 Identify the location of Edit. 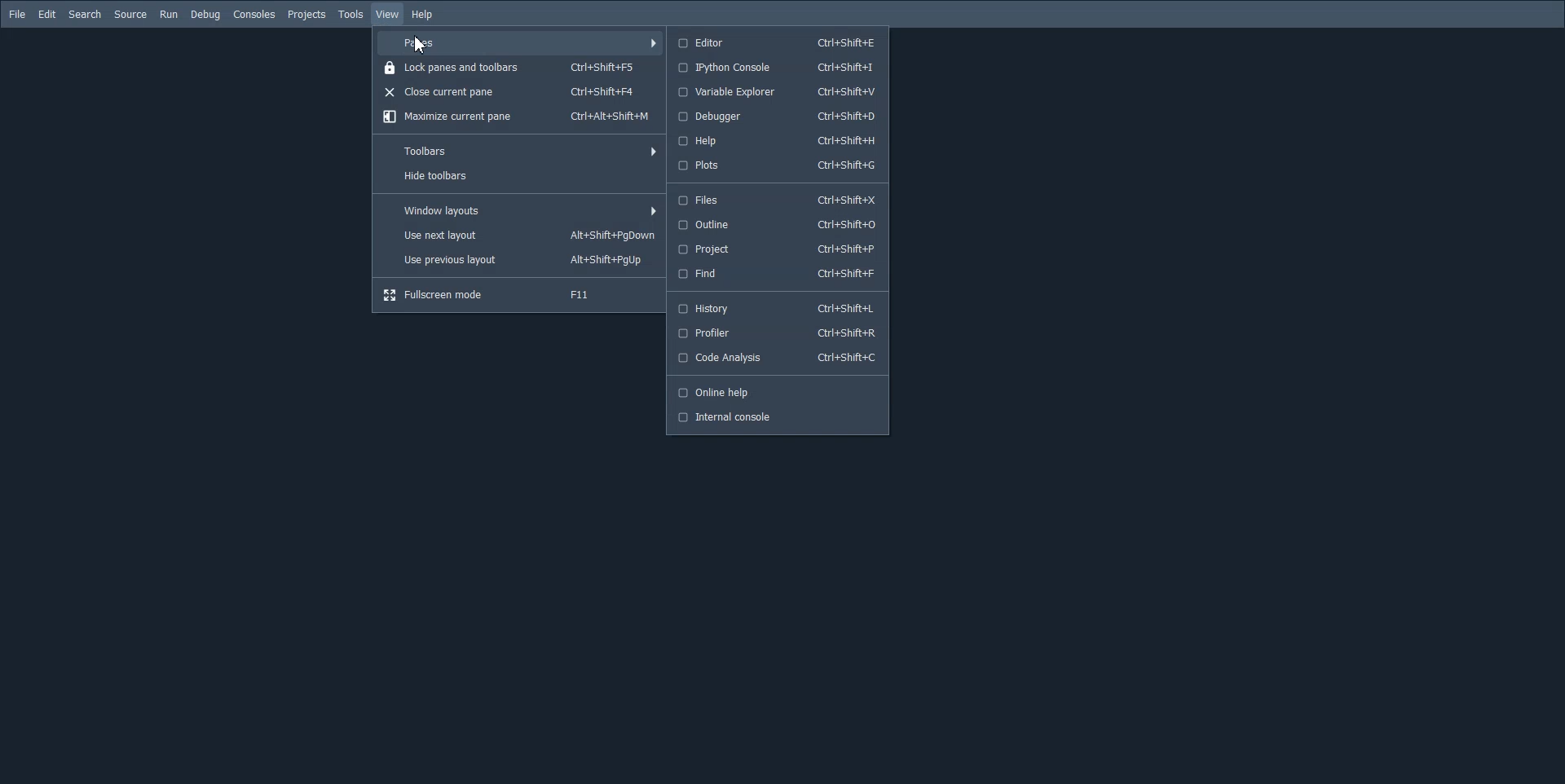
(46, 15).